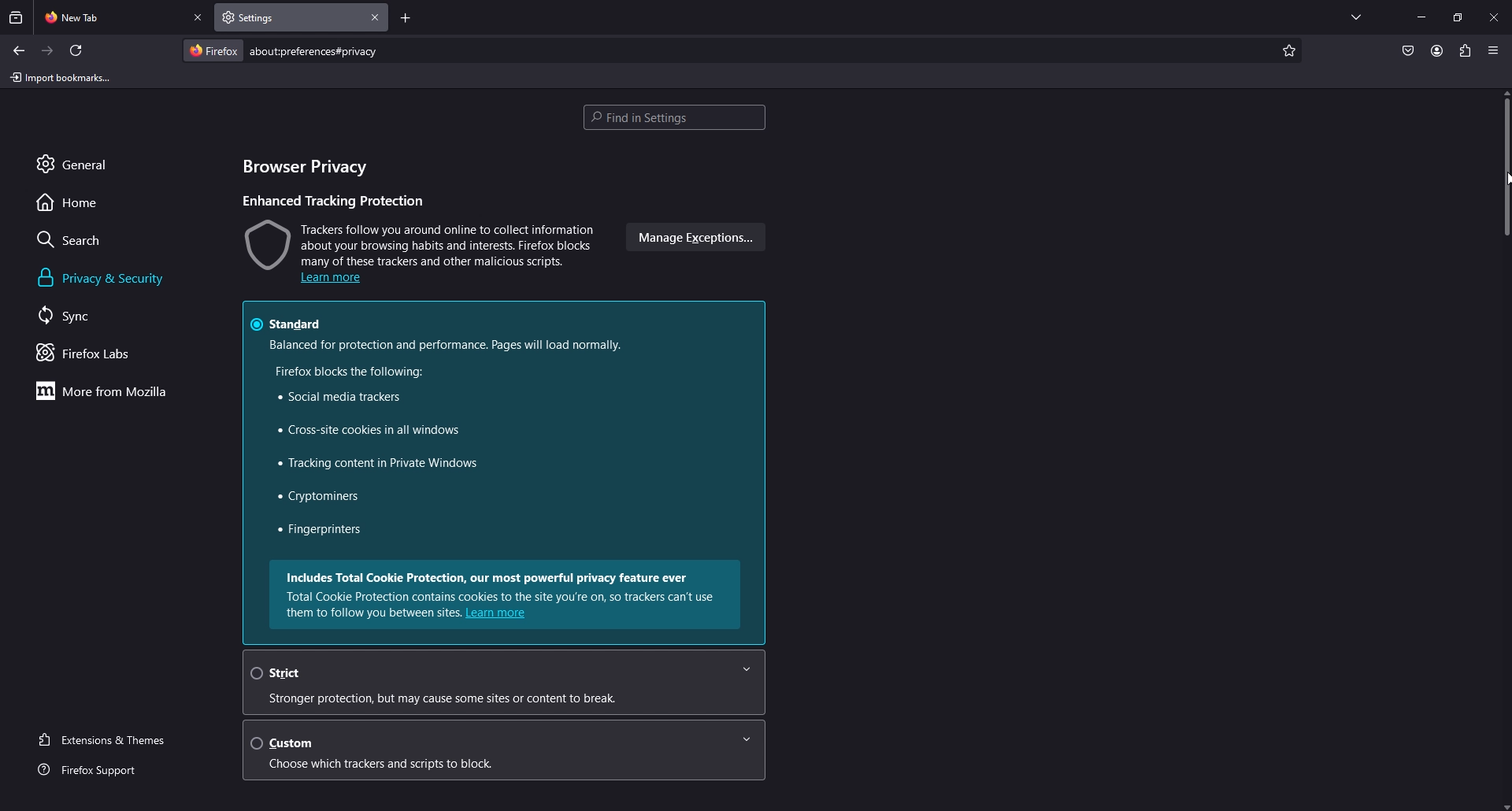  What do you see at coordinates (375, 465) in the screenshot?
I see `« Tracking content in Private Windows` at bounding box center [375, 465].